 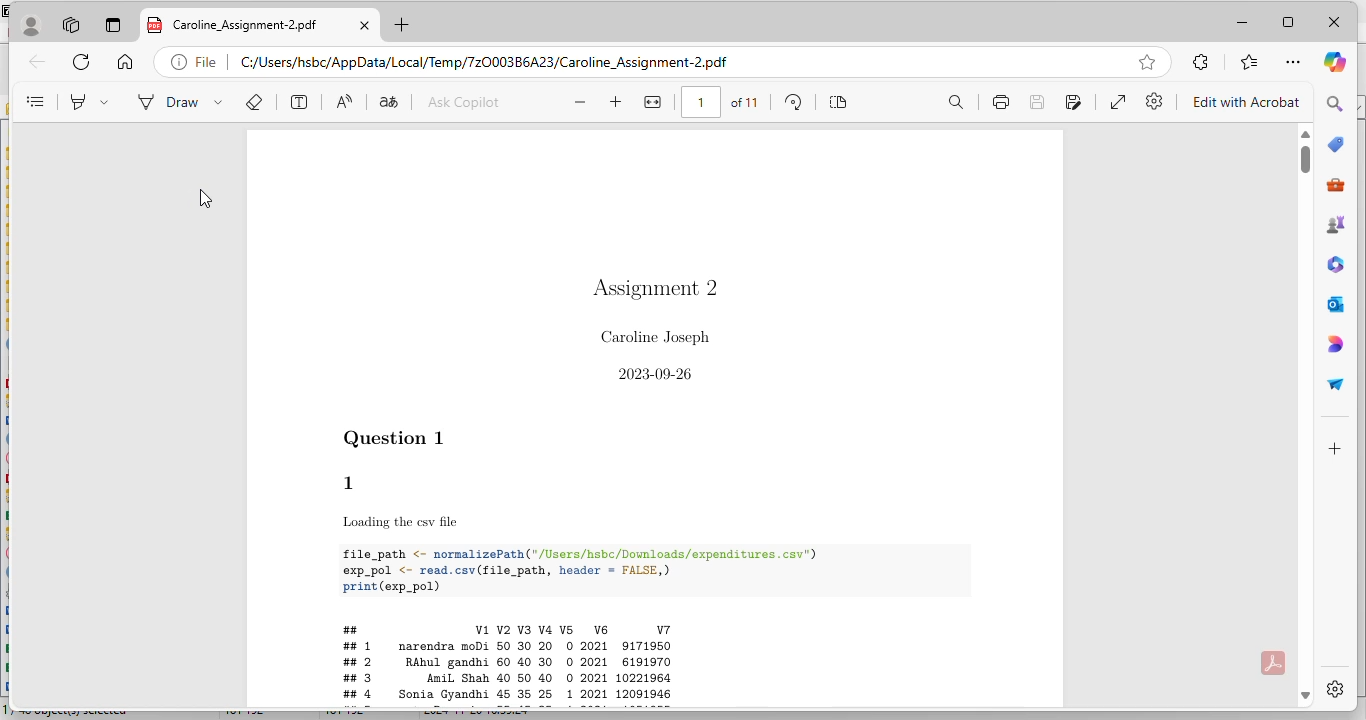 I want to click on minimize, so click(x=1242, y=23).